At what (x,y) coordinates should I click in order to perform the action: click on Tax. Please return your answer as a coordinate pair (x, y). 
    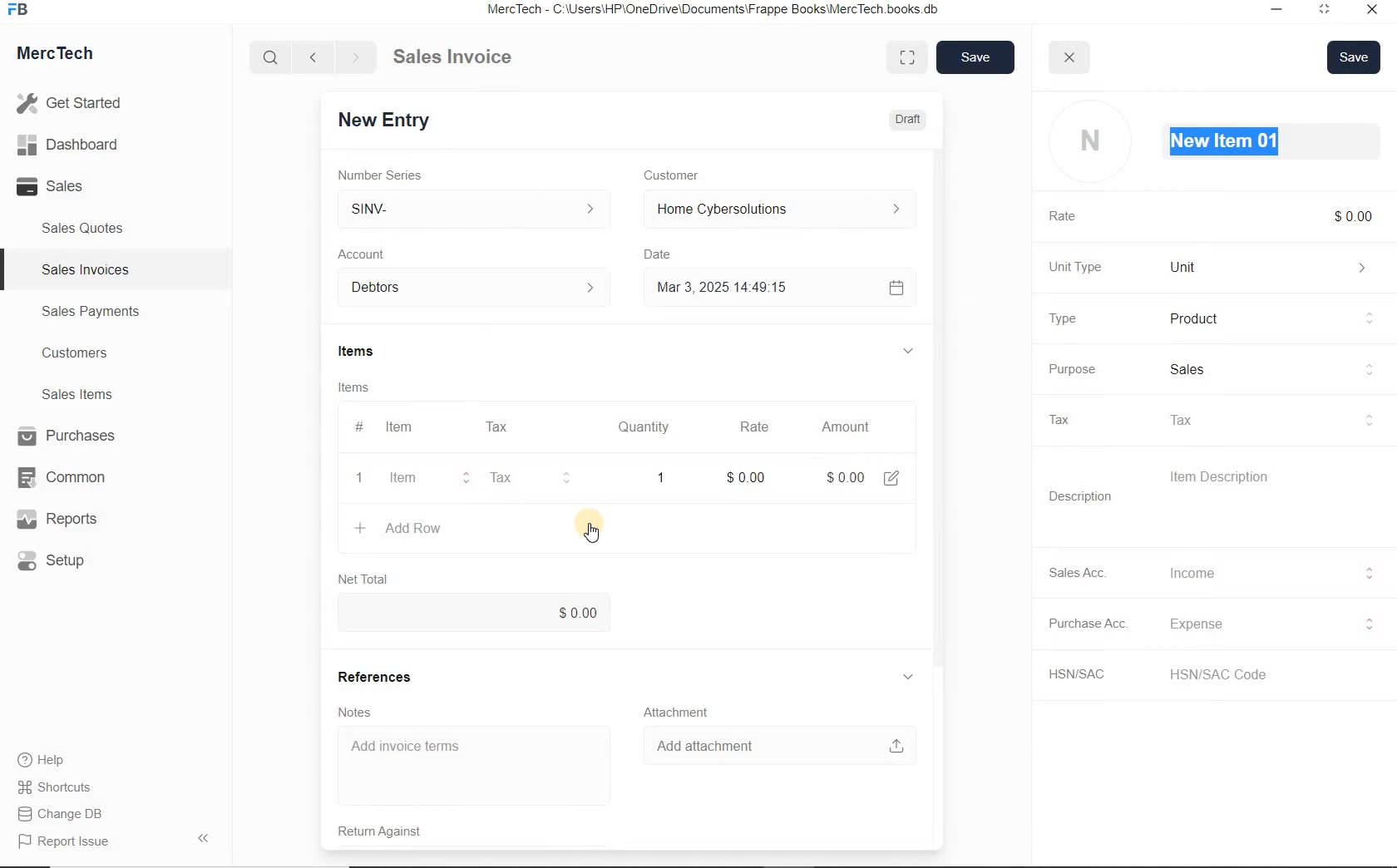
    Looking at the image, I should click on (1268, 420).